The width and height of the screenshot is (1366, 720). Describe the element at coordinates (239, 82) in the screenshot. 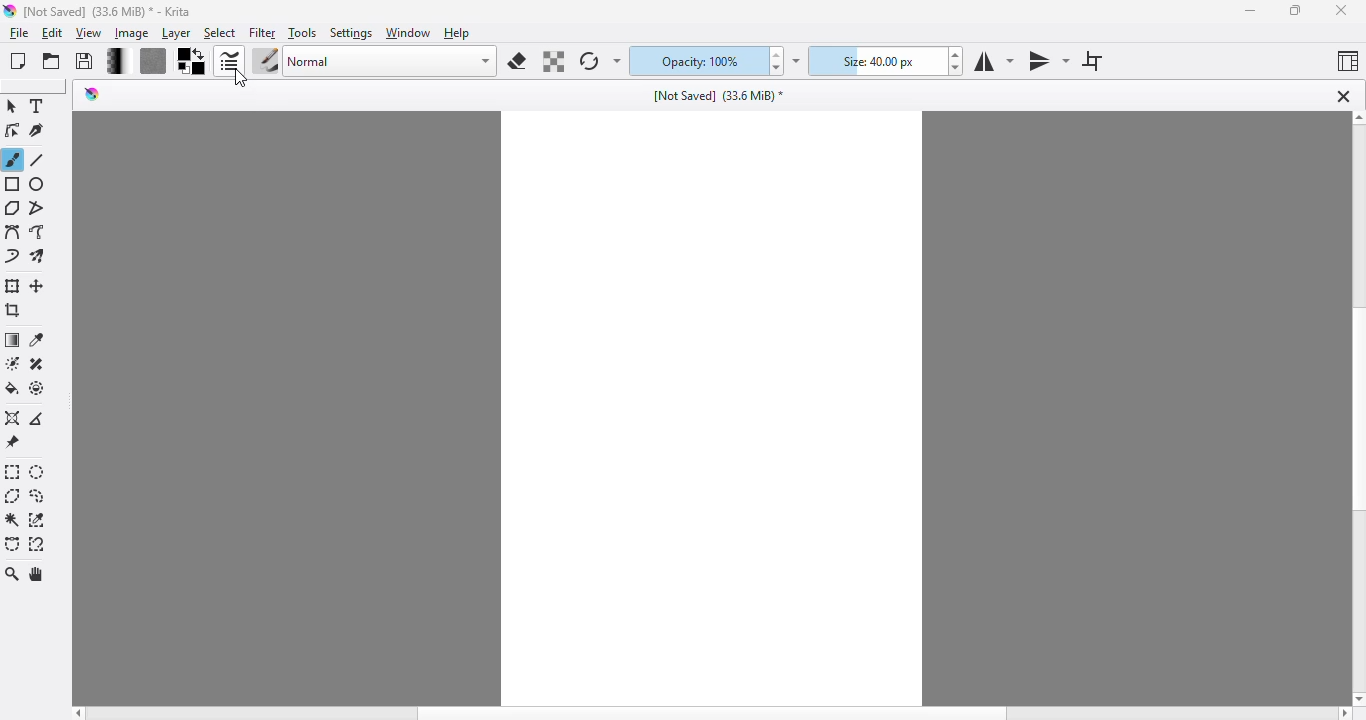

I see `cursor` at that location.